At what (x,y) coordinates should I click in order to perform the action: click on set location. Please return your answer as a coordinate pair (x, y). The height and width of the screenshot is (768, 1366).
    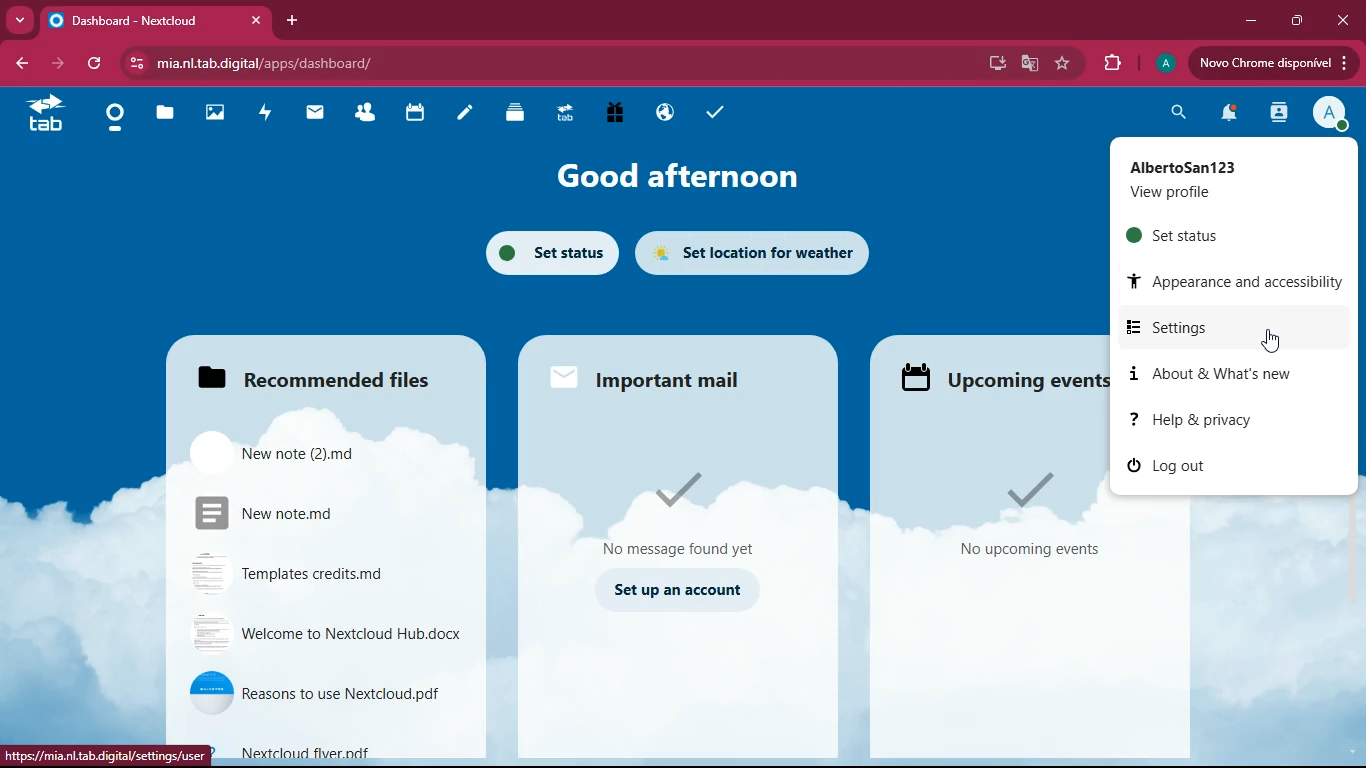
    Looking at the image, I should click on (764, 252).